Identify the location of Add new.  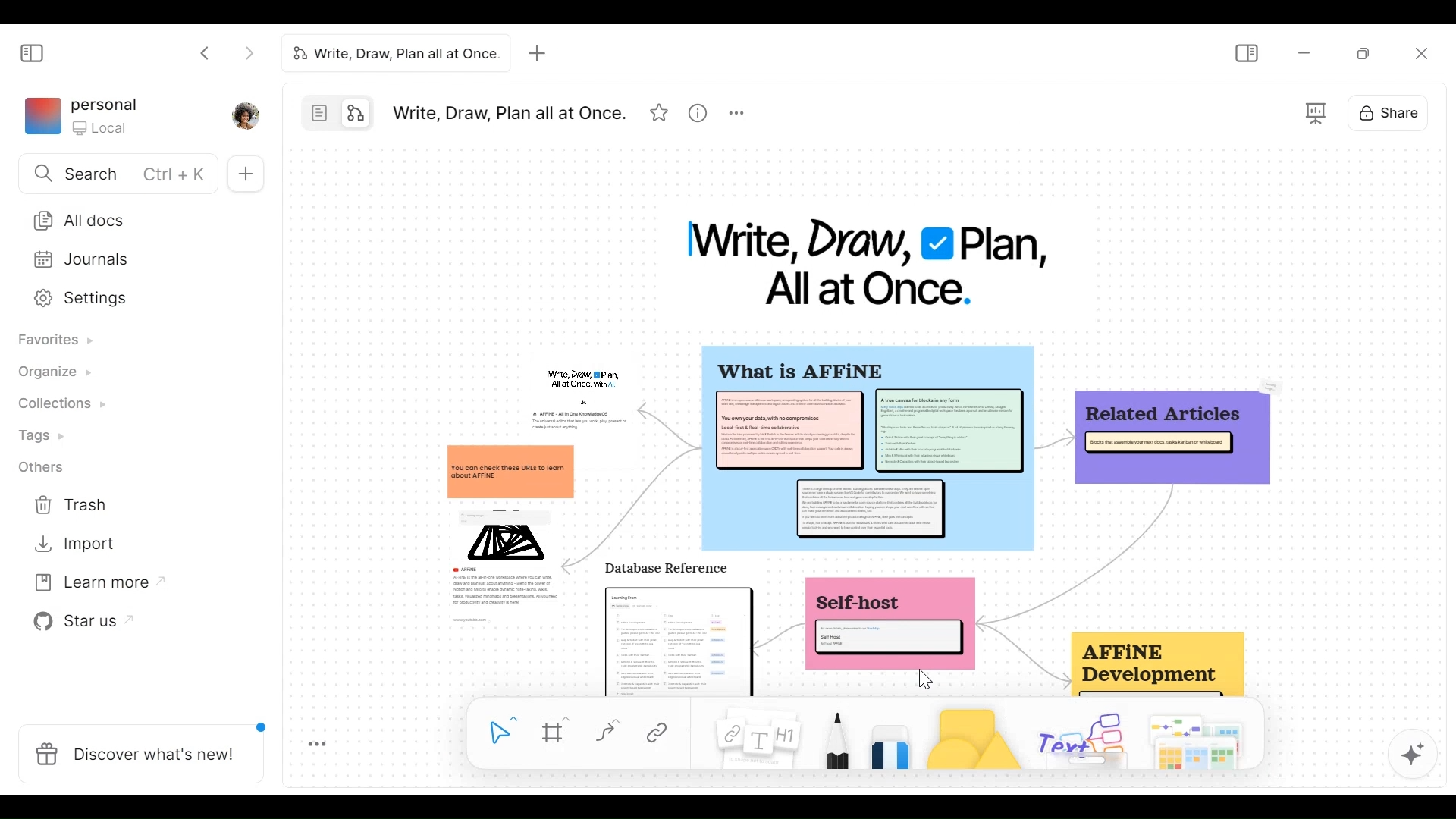
(245, 175).